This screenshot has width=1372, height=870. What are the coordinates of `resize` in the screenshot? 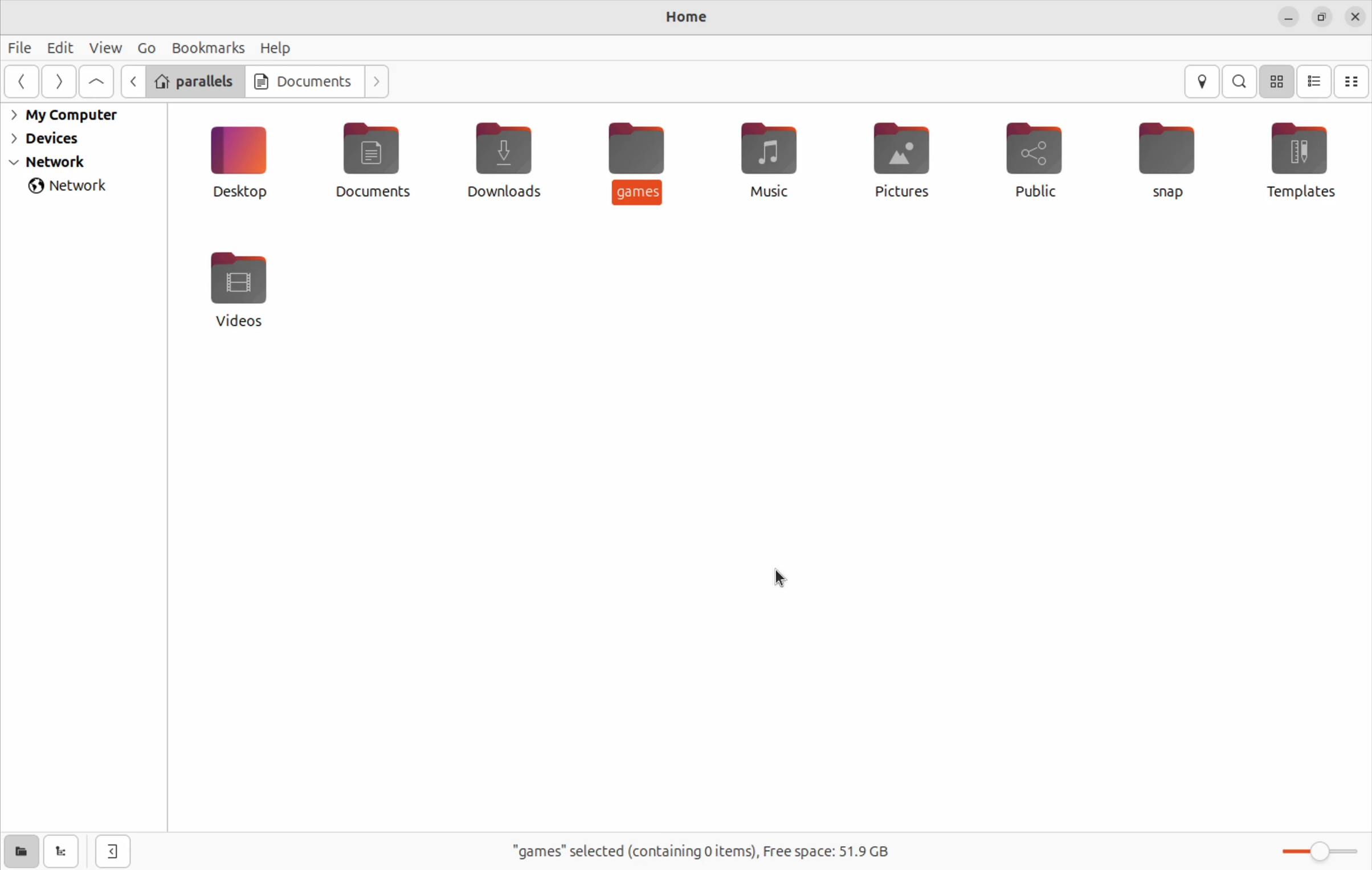 It's located at (1322, 18).